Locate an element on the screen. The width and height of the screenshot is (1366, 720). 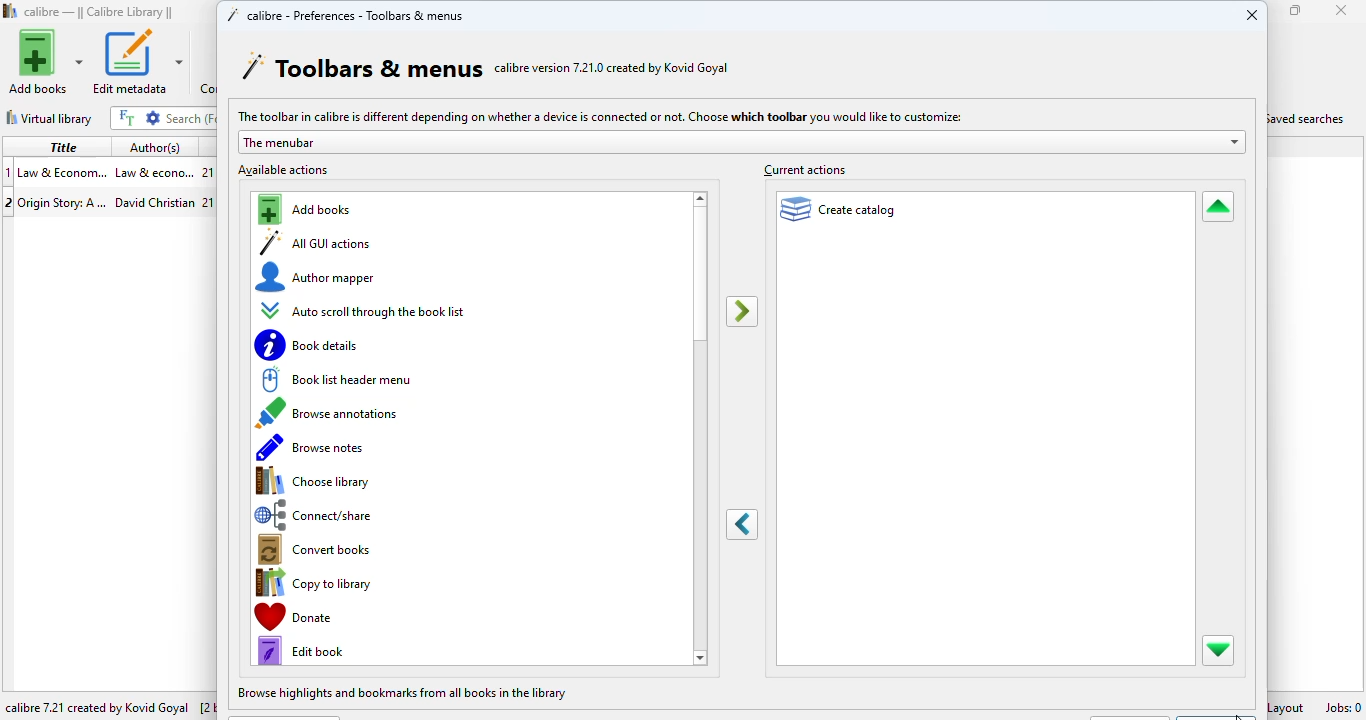
the menubar is located at coordinates (740, 142).